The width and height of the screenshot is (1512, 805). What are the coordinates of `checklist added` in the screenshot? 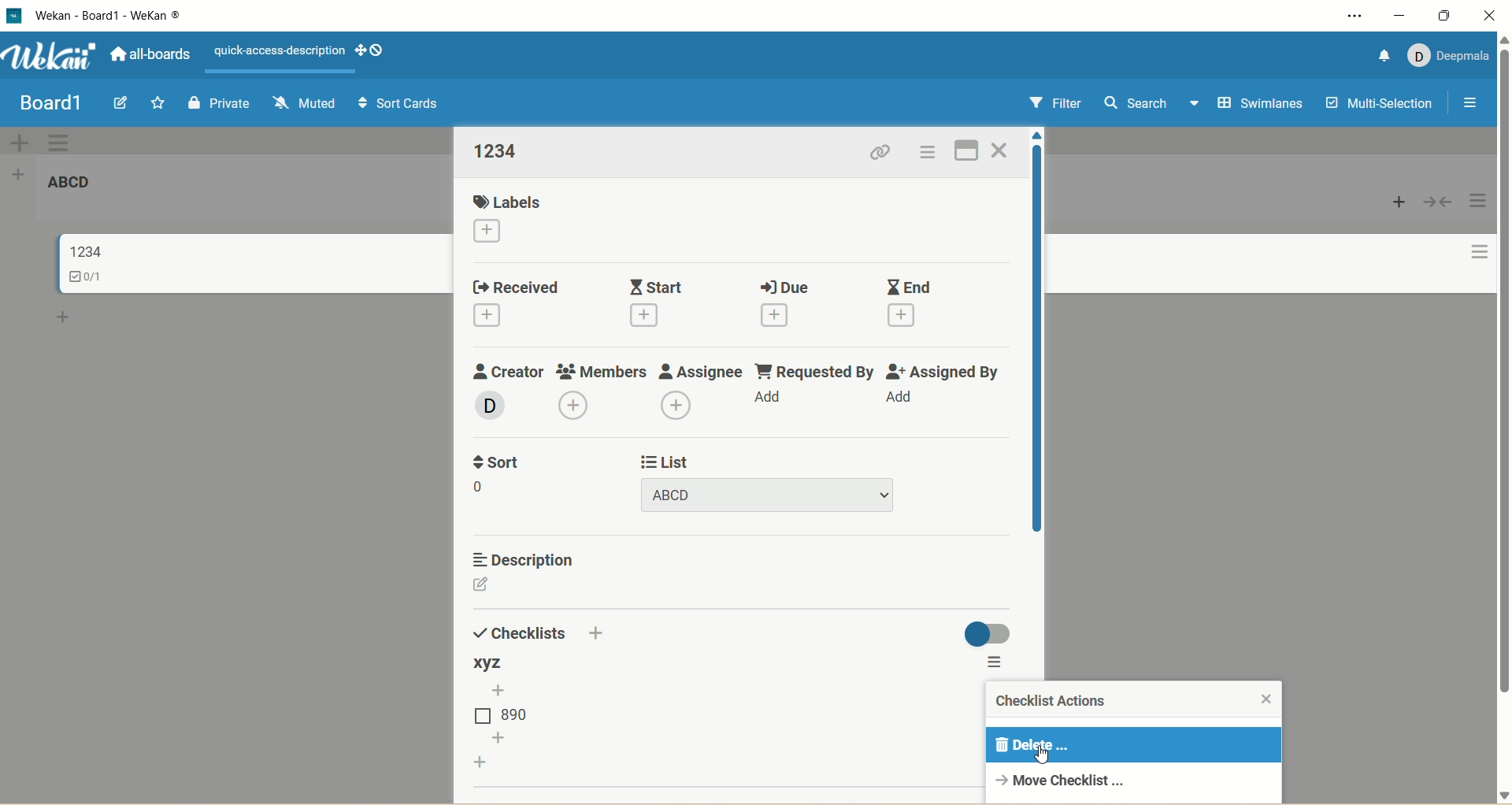 It's located at (498, 663).